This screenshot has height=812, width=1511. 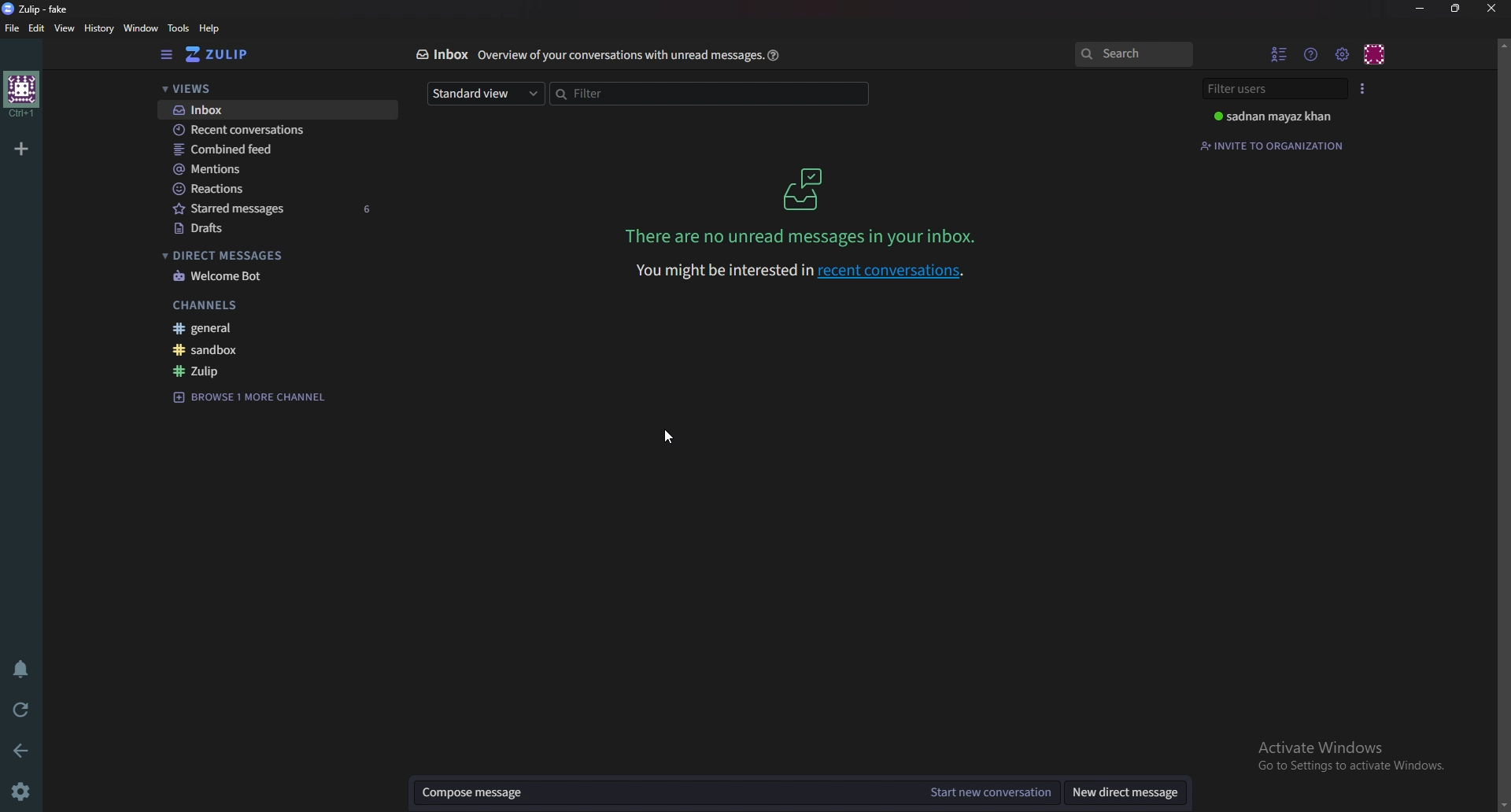 I want to click on file, so click(x=13, y=28).